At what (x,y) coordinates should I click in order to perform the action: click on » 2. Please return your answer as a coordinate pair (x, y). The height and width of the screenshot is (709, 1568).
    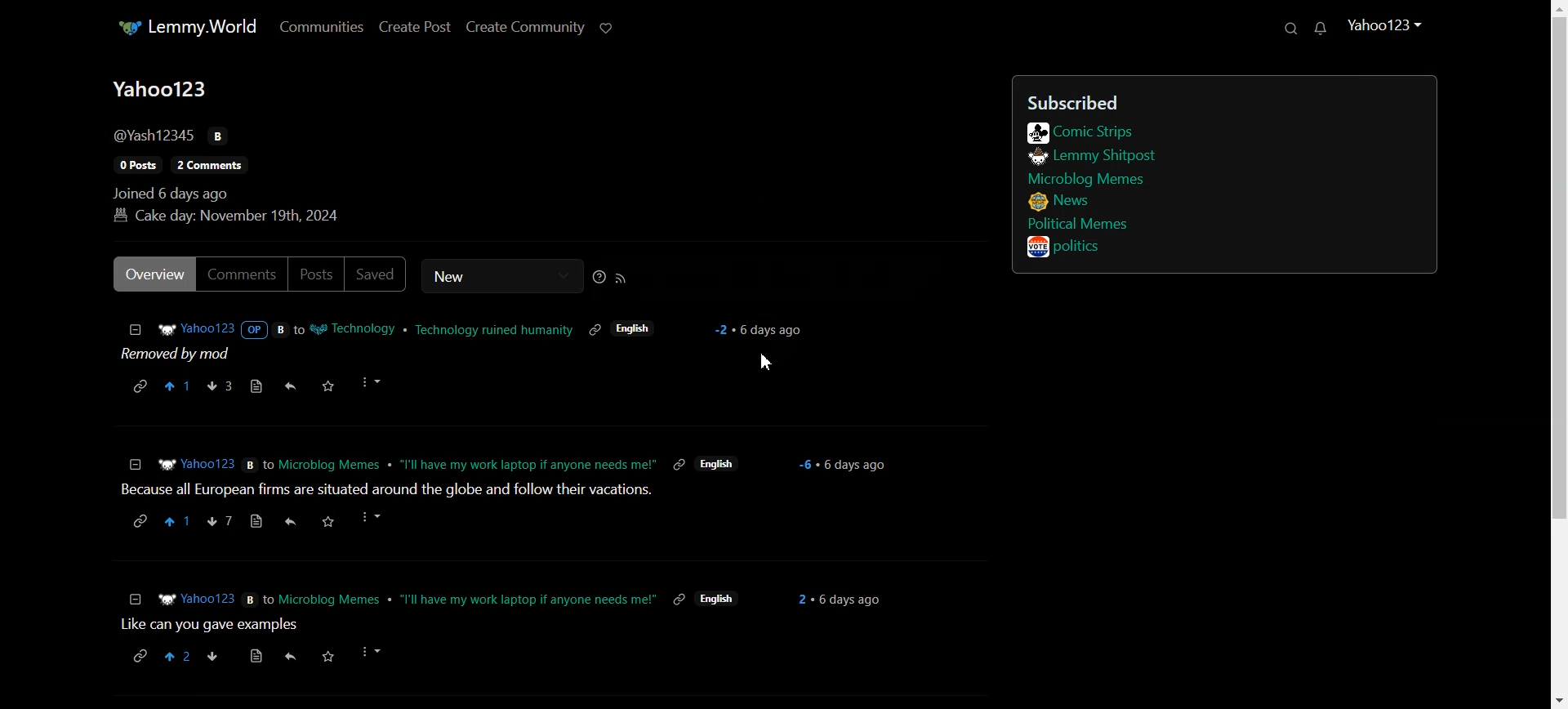
    Looking at the image, I should click on (173, 656).